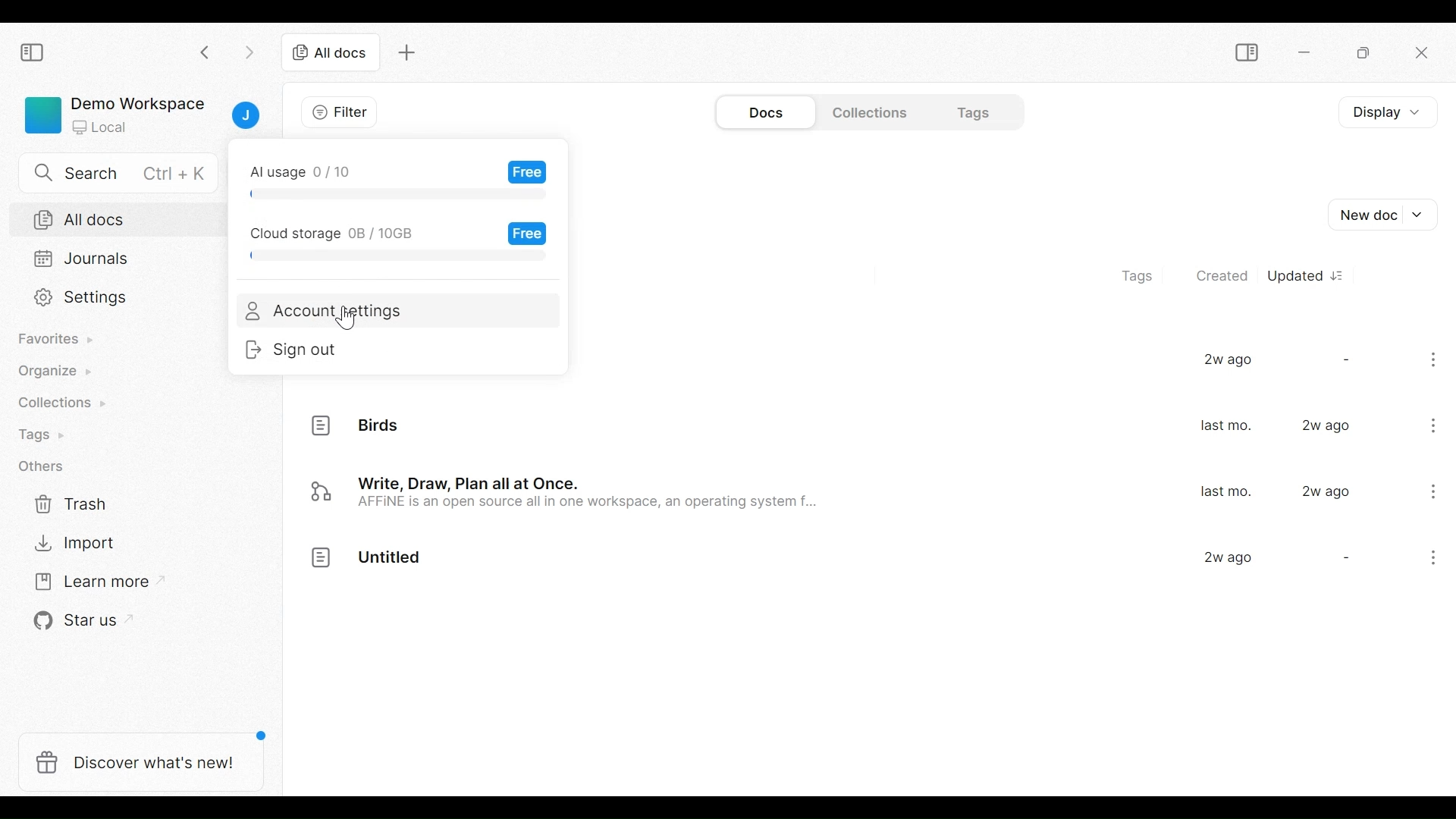 The image size is (1456, 819). Describe the element at coordinates (306, 352) in the screenshot. I see `Sign out` at that location.